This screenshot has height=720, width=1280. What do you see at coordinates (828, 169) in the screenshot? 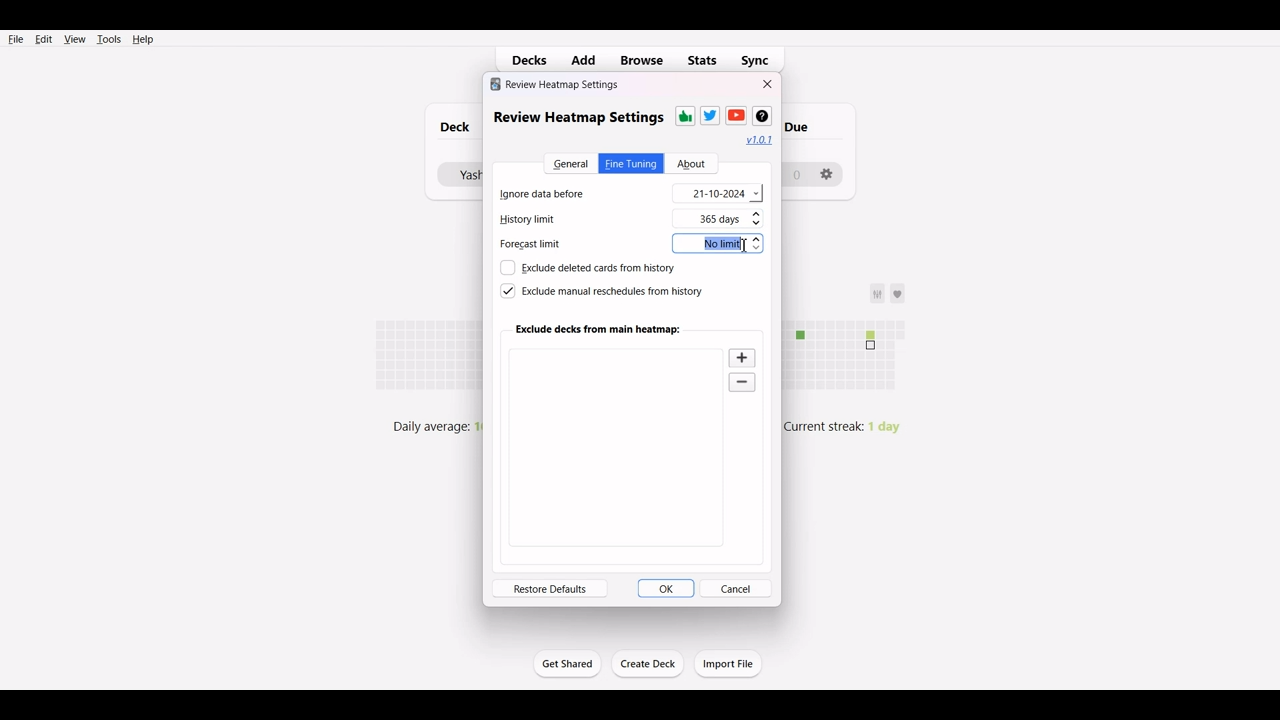
I see `settings` at bounding box center [828, 169].